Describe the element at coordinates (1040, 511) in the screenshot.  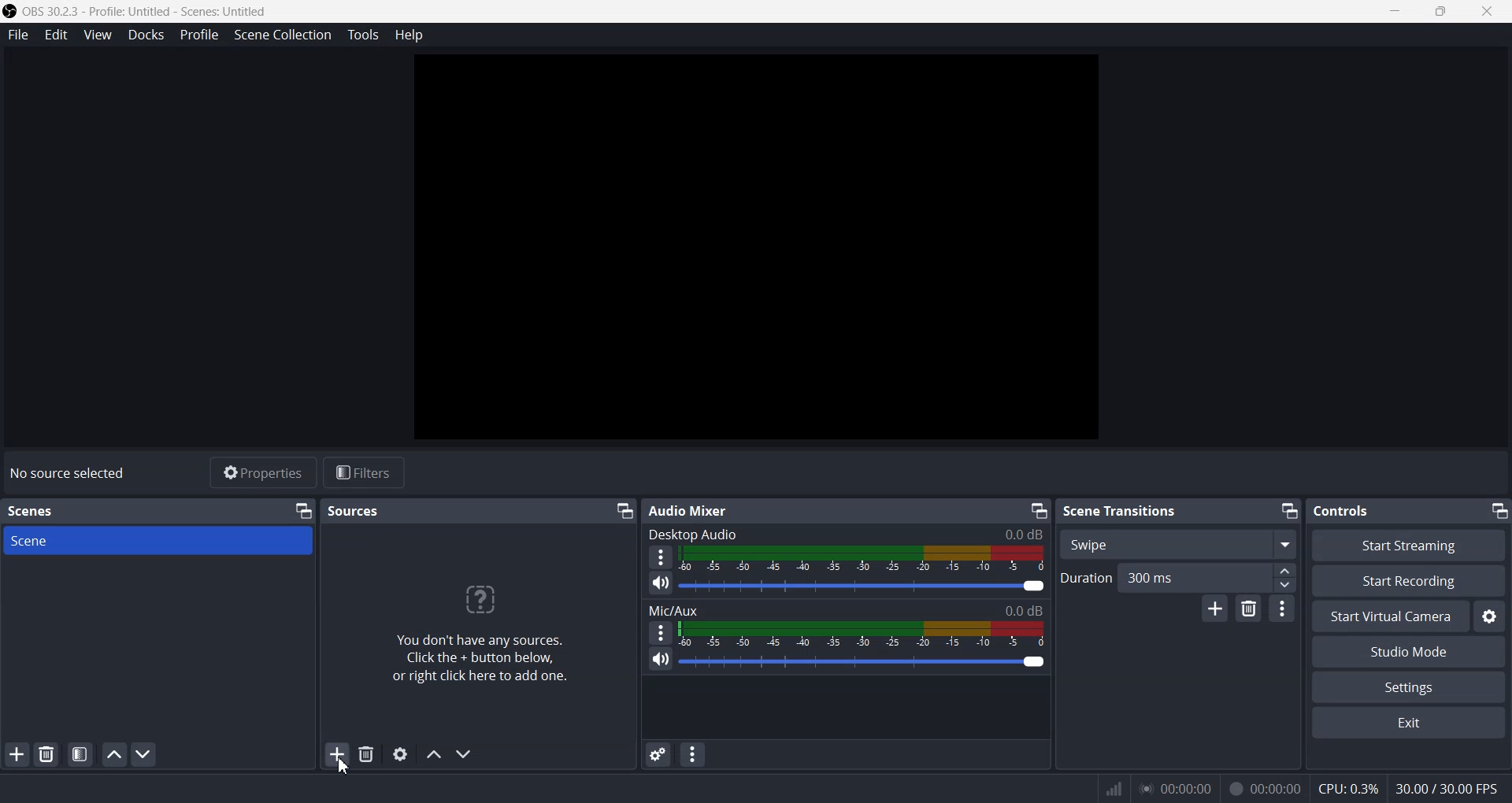
I see `Minimize` at that location.